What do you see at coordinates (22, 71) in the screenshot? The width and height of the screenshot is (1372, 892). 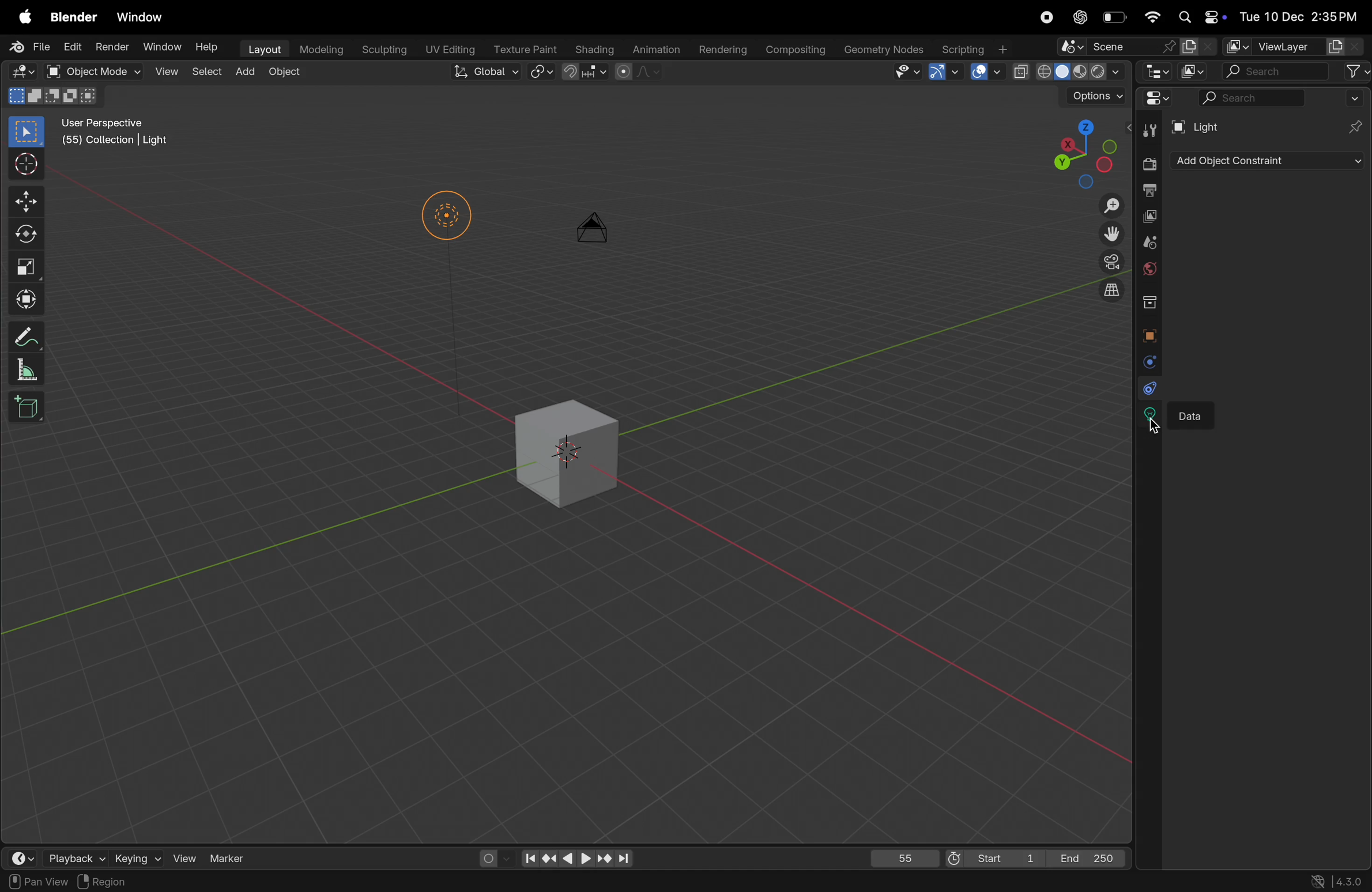 I see `Editor mode` at bounding box center [22, 71].